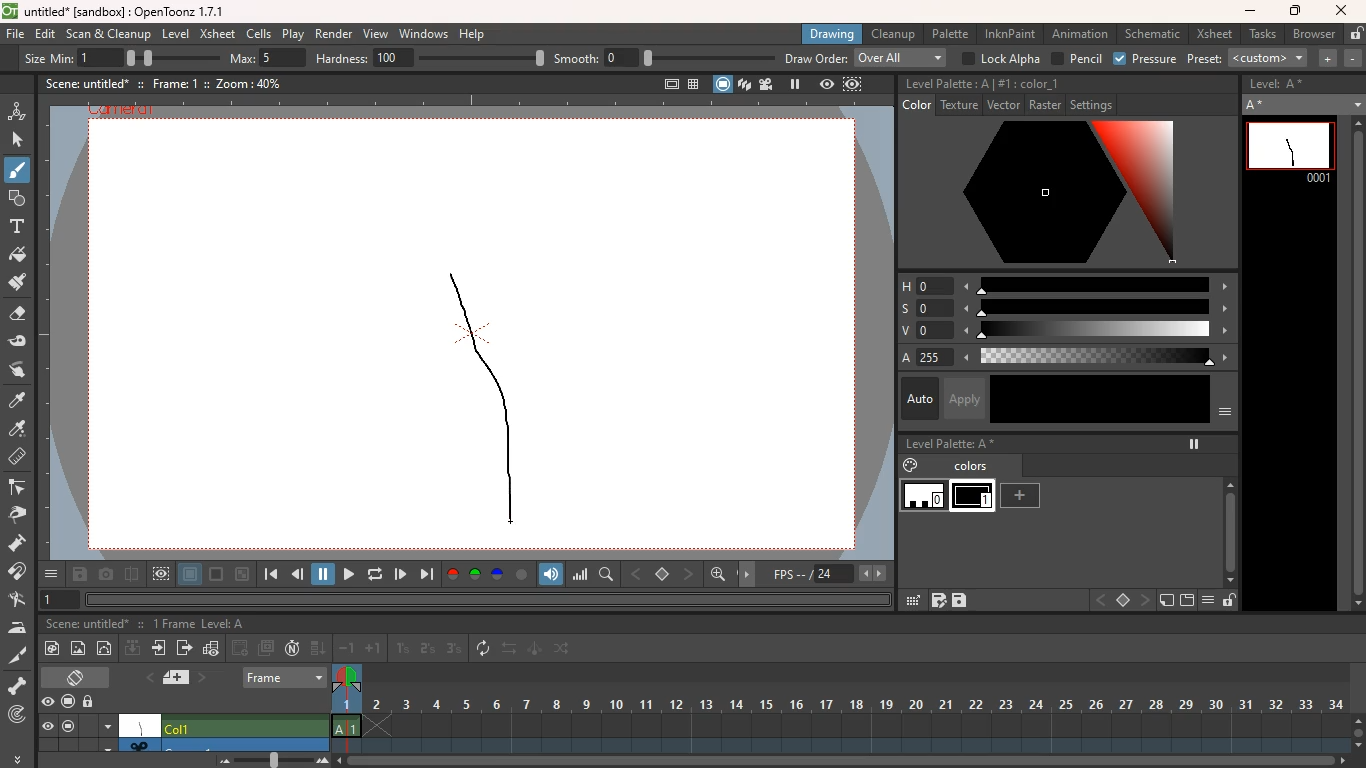 This screenshot has height=768, width=1366. Describe the element at coordinates (1100, 308) in the screenshot. I see `scale` at that location.